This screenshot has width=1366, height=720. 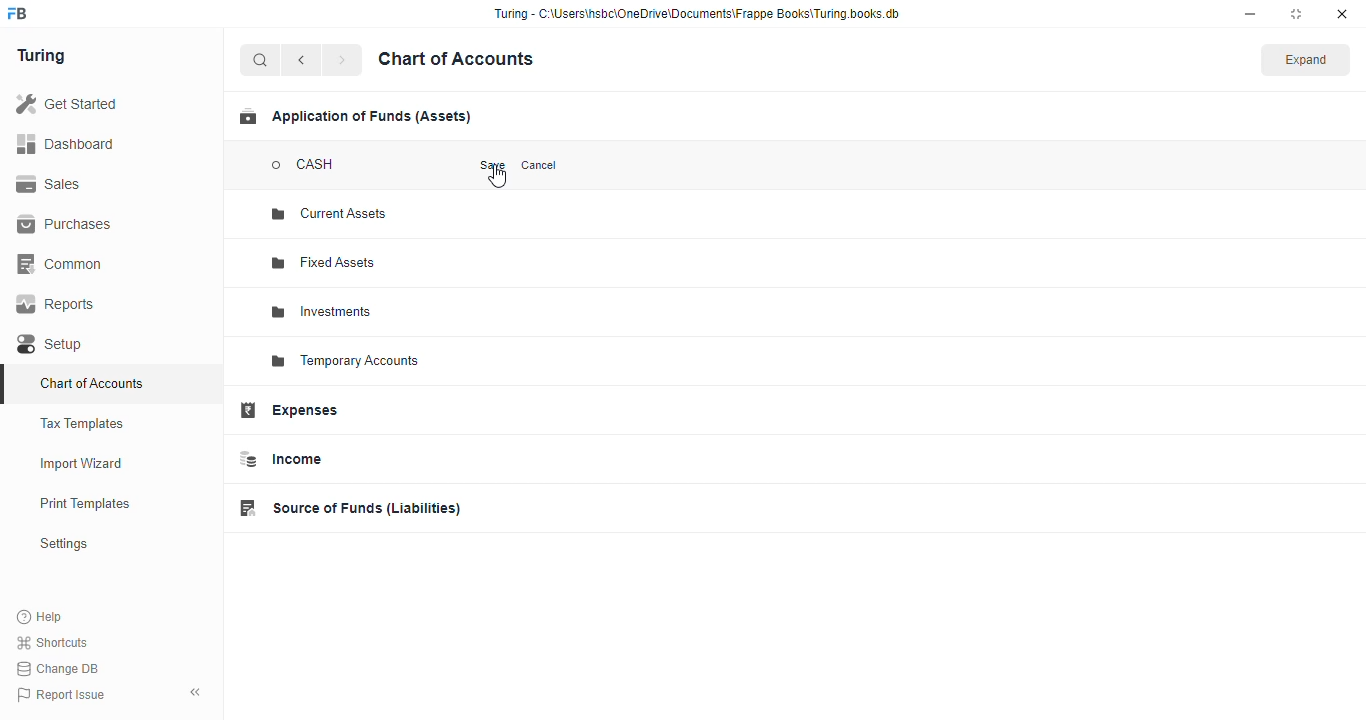 What do you see at coordinates (288, 410) in the screenshot?
I see `expenses` at bounding box center [288, 410].